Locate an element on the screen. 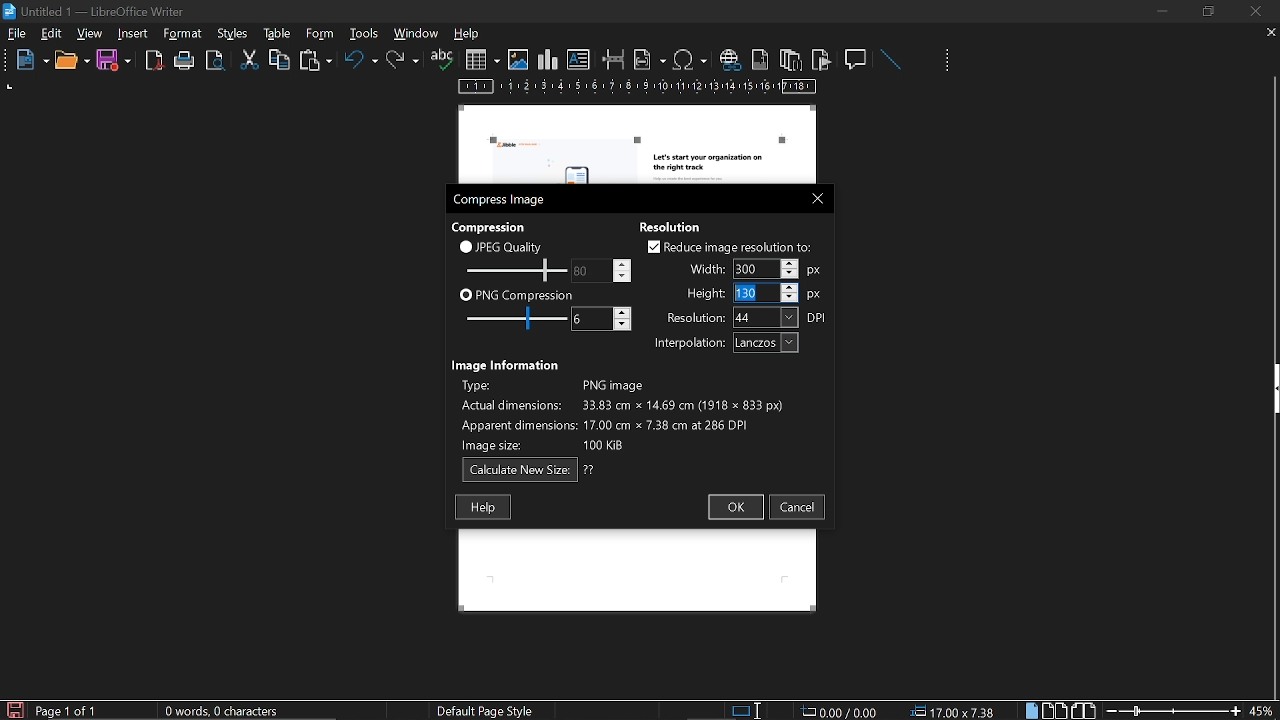 This screenshot has width=1280, height=720. side bar menu is located at coordinates (1272, 389).